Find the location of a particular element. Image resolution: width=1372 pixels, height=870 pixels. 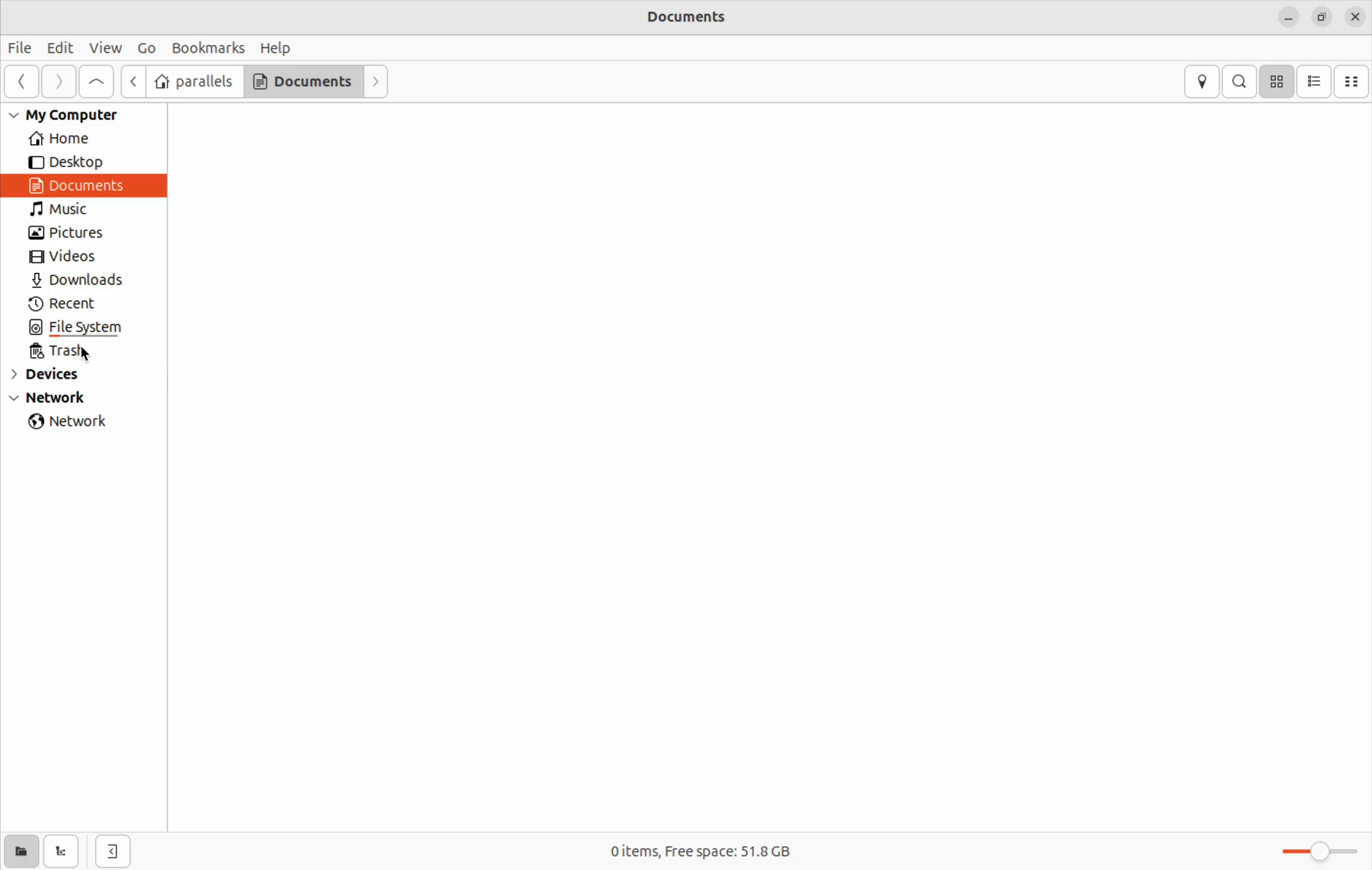

minimize is located at coordinates (1288, 18).